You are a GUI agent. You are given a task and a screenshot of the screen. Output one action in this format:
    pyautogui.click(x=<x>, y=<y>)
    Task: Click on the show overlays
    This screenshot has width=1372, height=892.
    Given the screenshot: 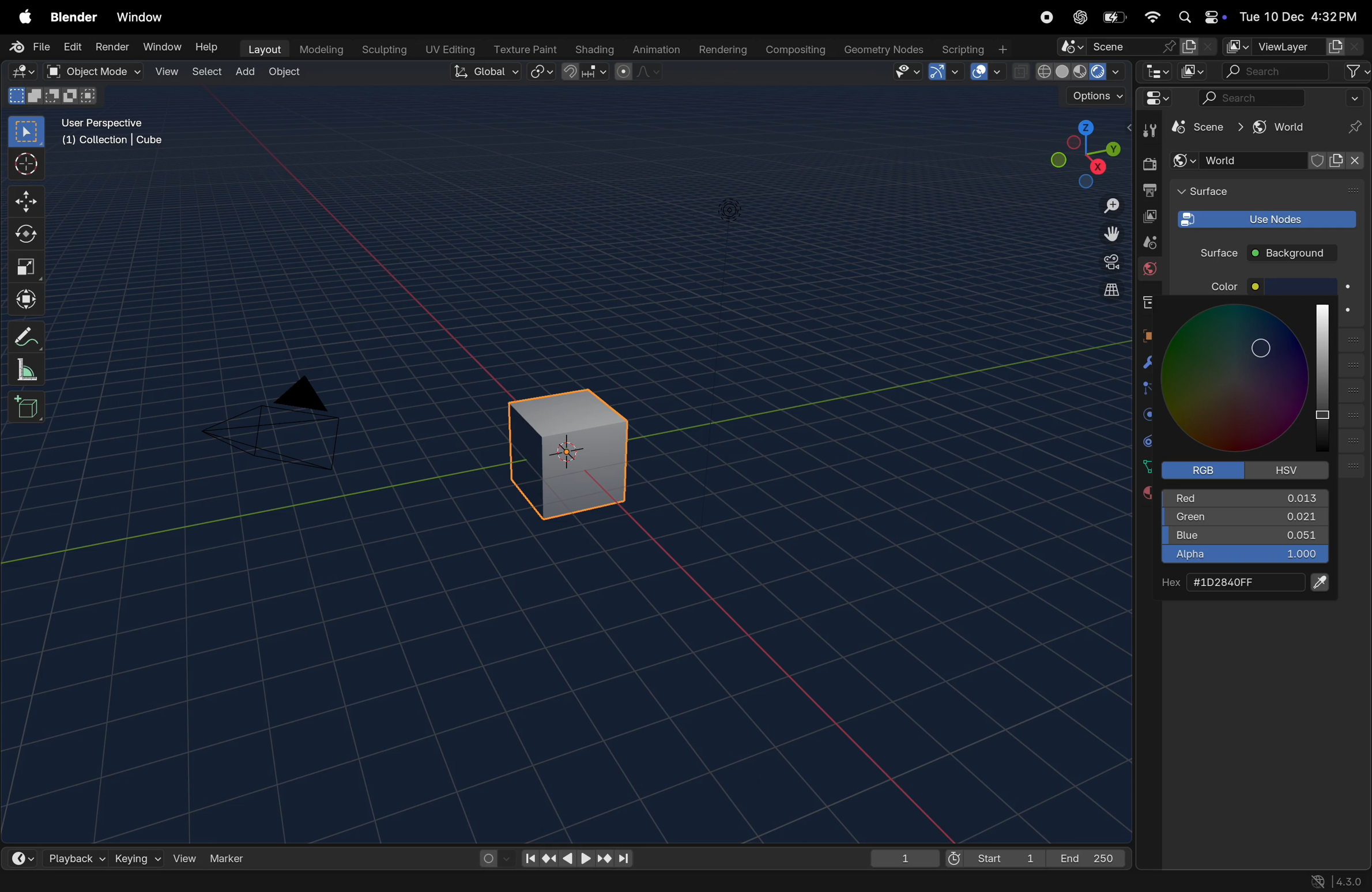 What is the action you would take?
    pyautogui.click(x=988, y=71)
    